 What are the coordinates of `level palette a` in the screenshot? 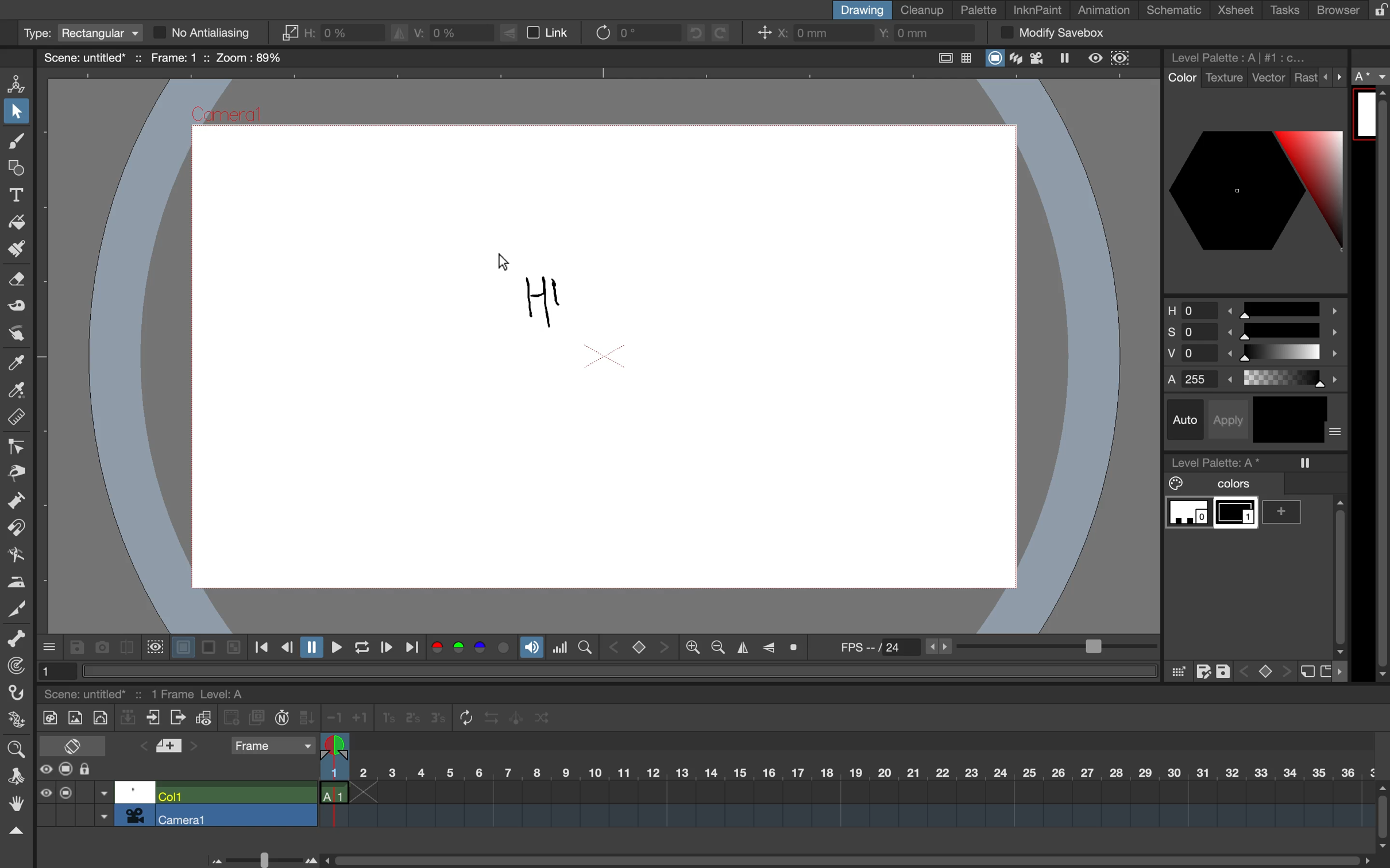 It's located at (1220, 460).